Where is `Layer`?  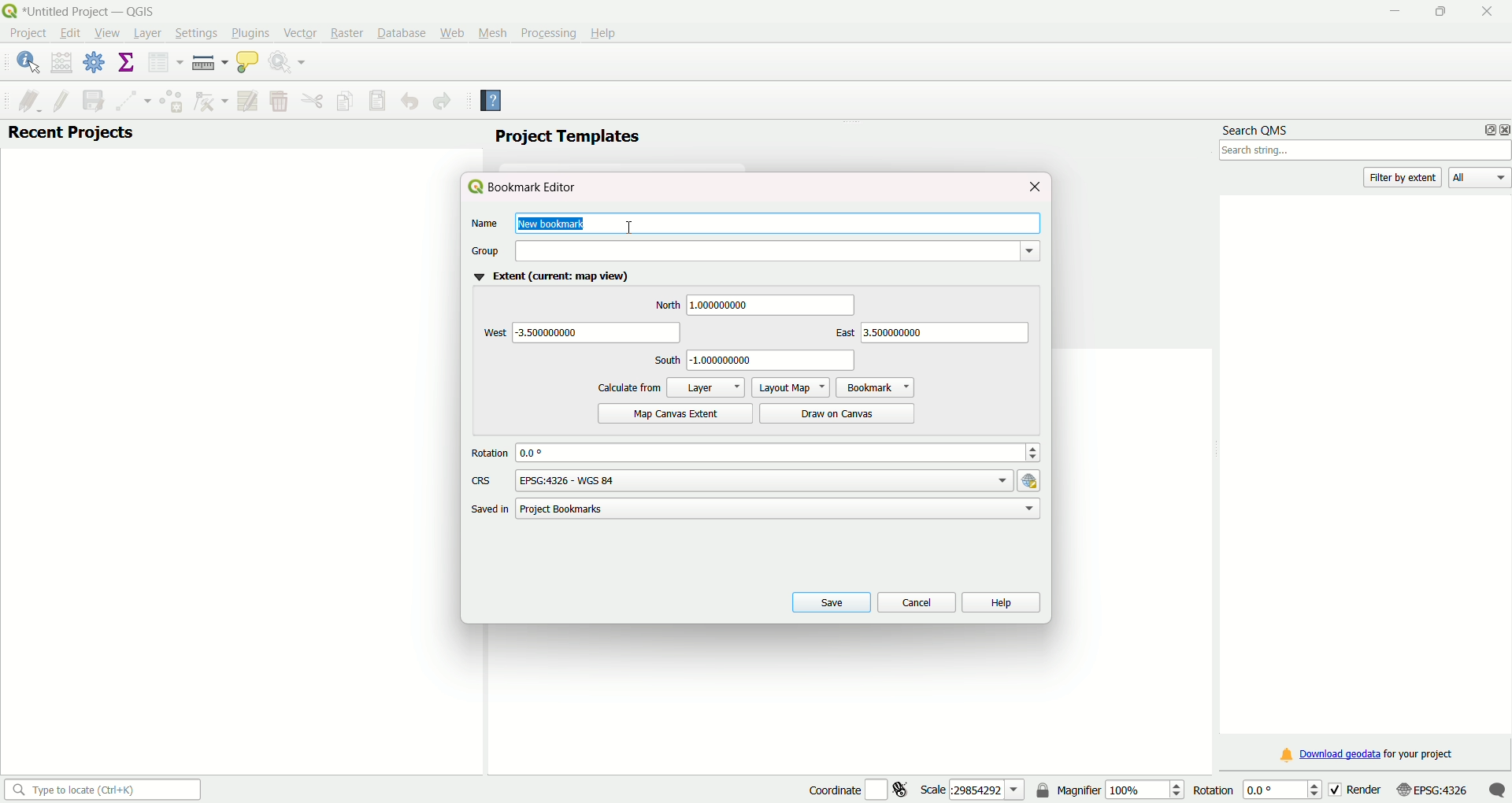 Layer is located at coordinates (146, 34).